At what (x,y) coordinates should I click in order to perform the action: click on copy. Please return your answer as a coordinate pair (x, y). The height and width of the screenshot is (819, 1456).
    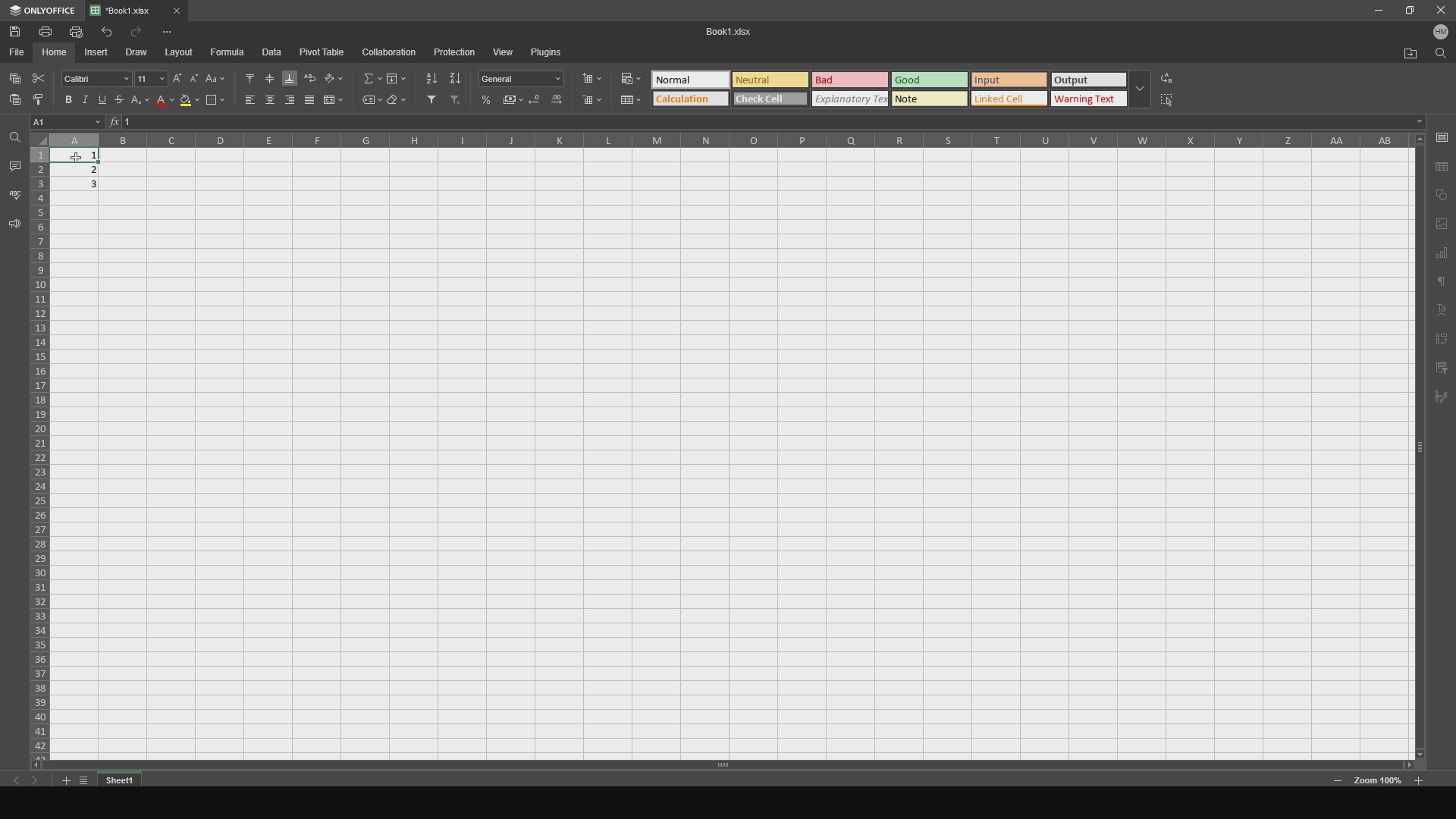
    Looking at the image, I should click on (1442, 194).